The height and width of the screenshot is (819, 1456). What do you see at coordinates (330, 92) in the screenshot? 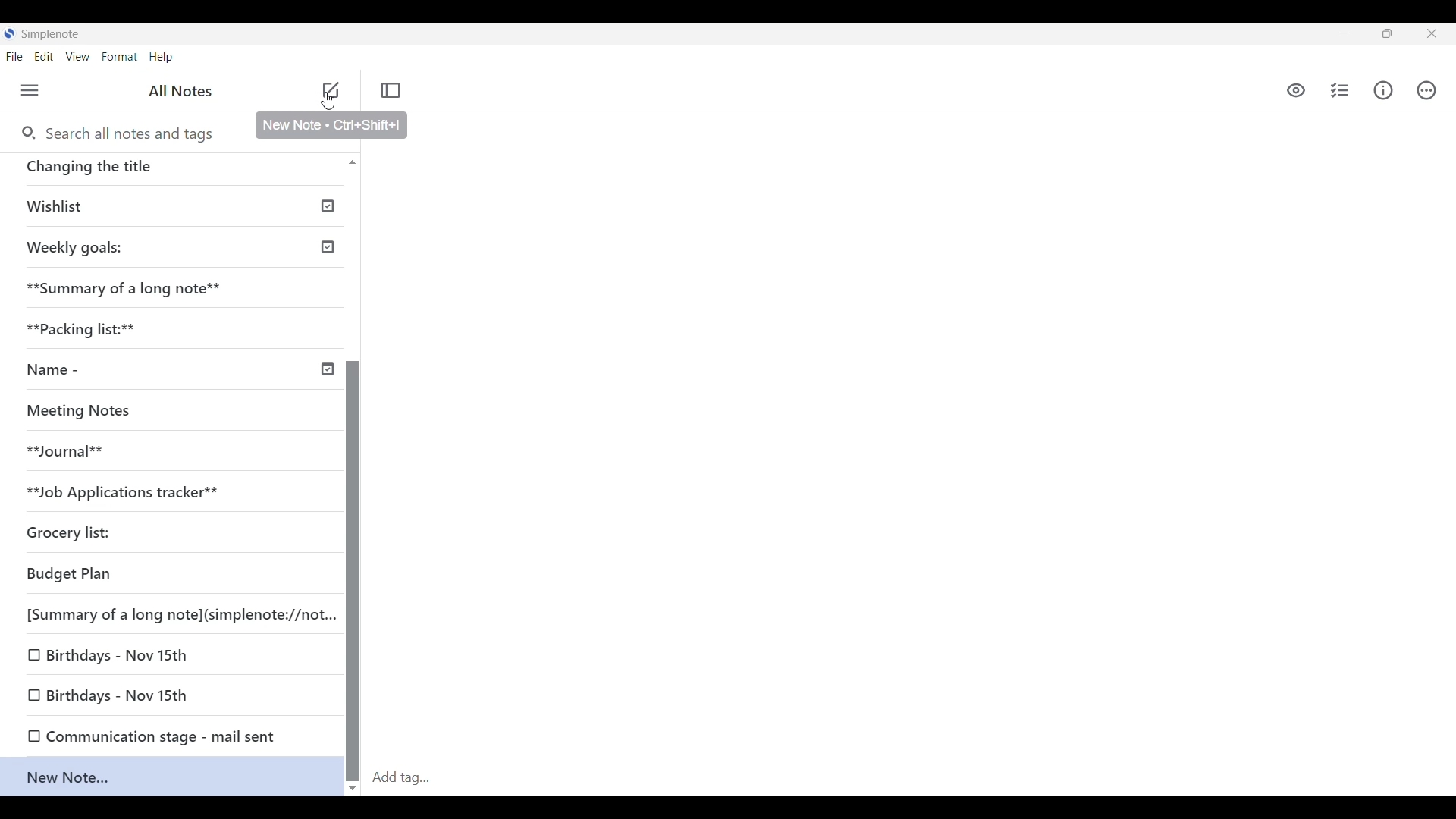
I see `Add note` at bounding box center [330, 92].